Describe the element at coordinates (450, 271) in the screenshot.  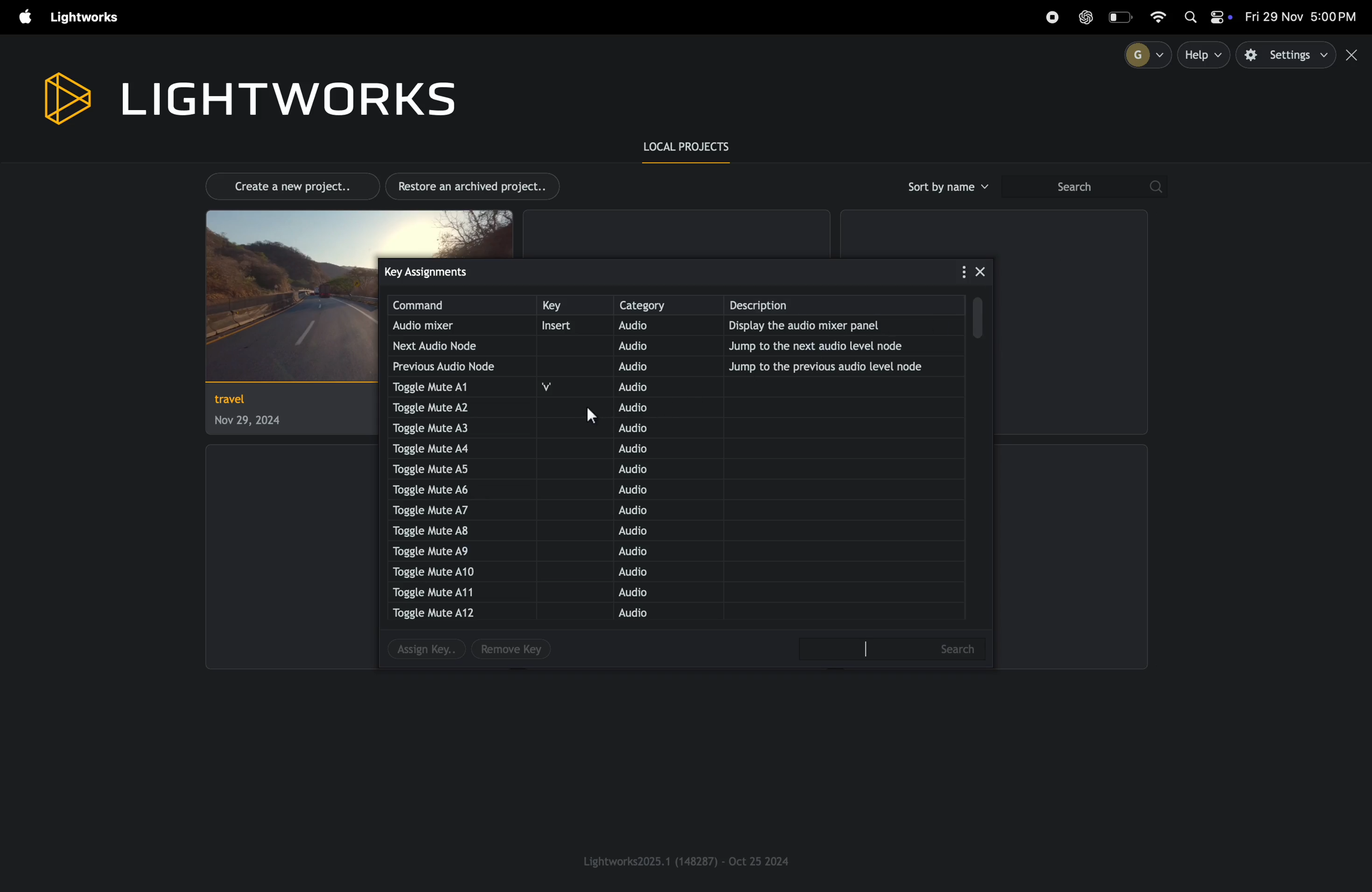
I see `key assignments` at that location.